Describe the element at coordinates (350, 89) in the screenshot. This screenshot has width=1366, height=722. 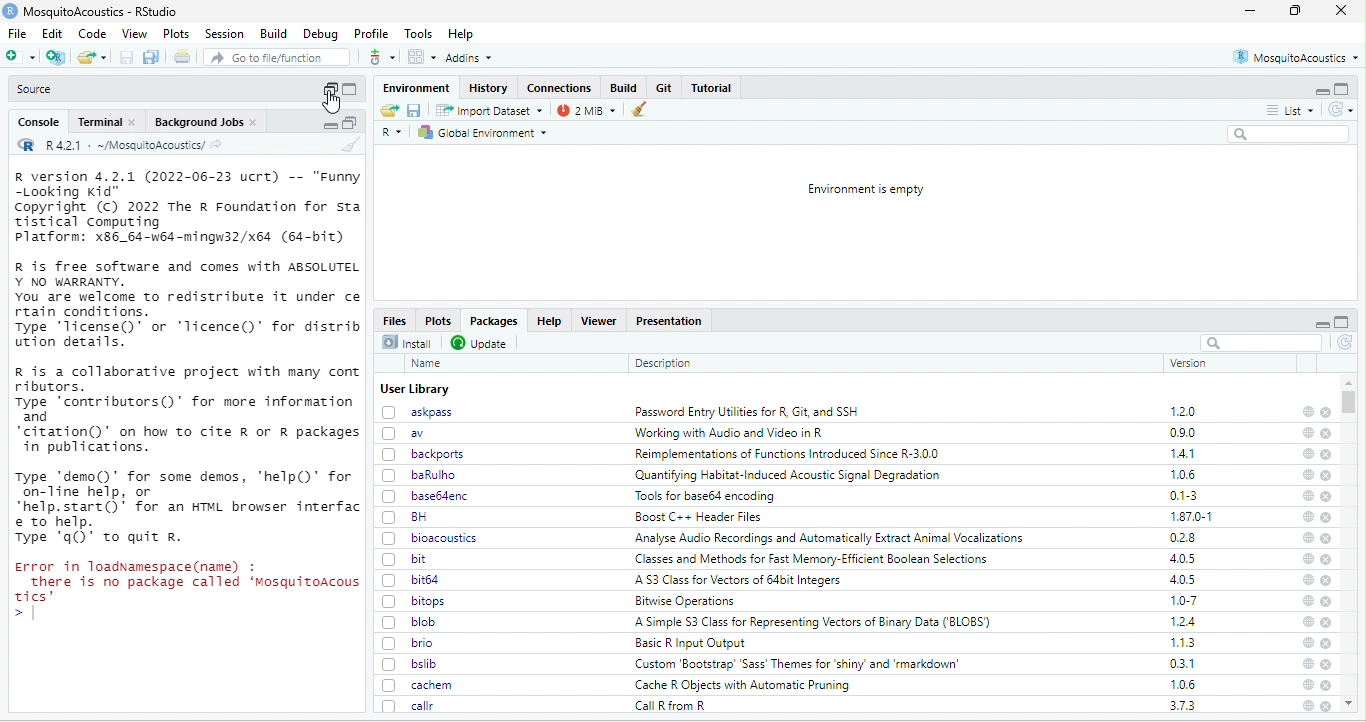
I see `full screen` at that location.